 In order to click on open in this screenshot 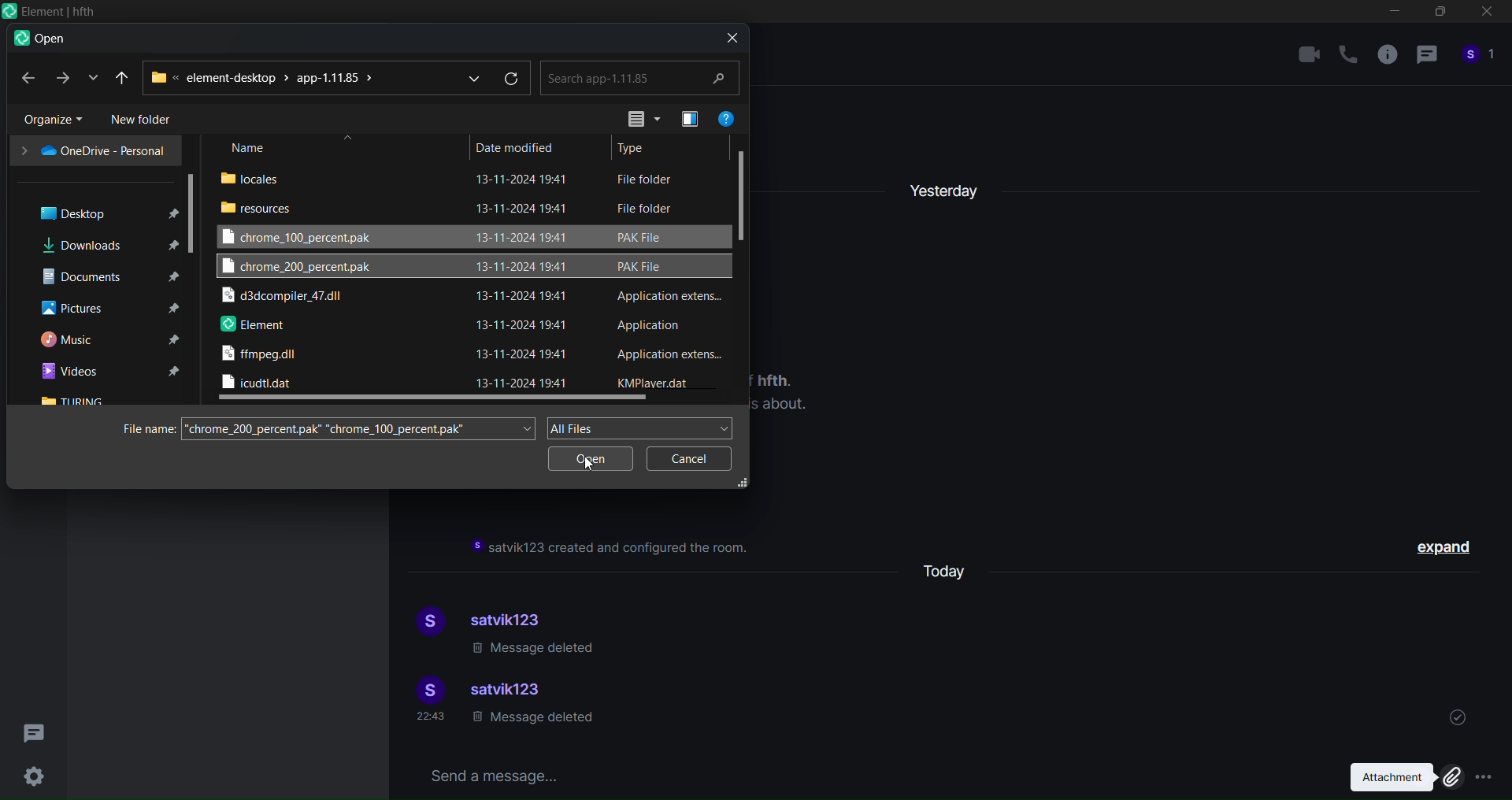, I will do `click(39, 39)`.